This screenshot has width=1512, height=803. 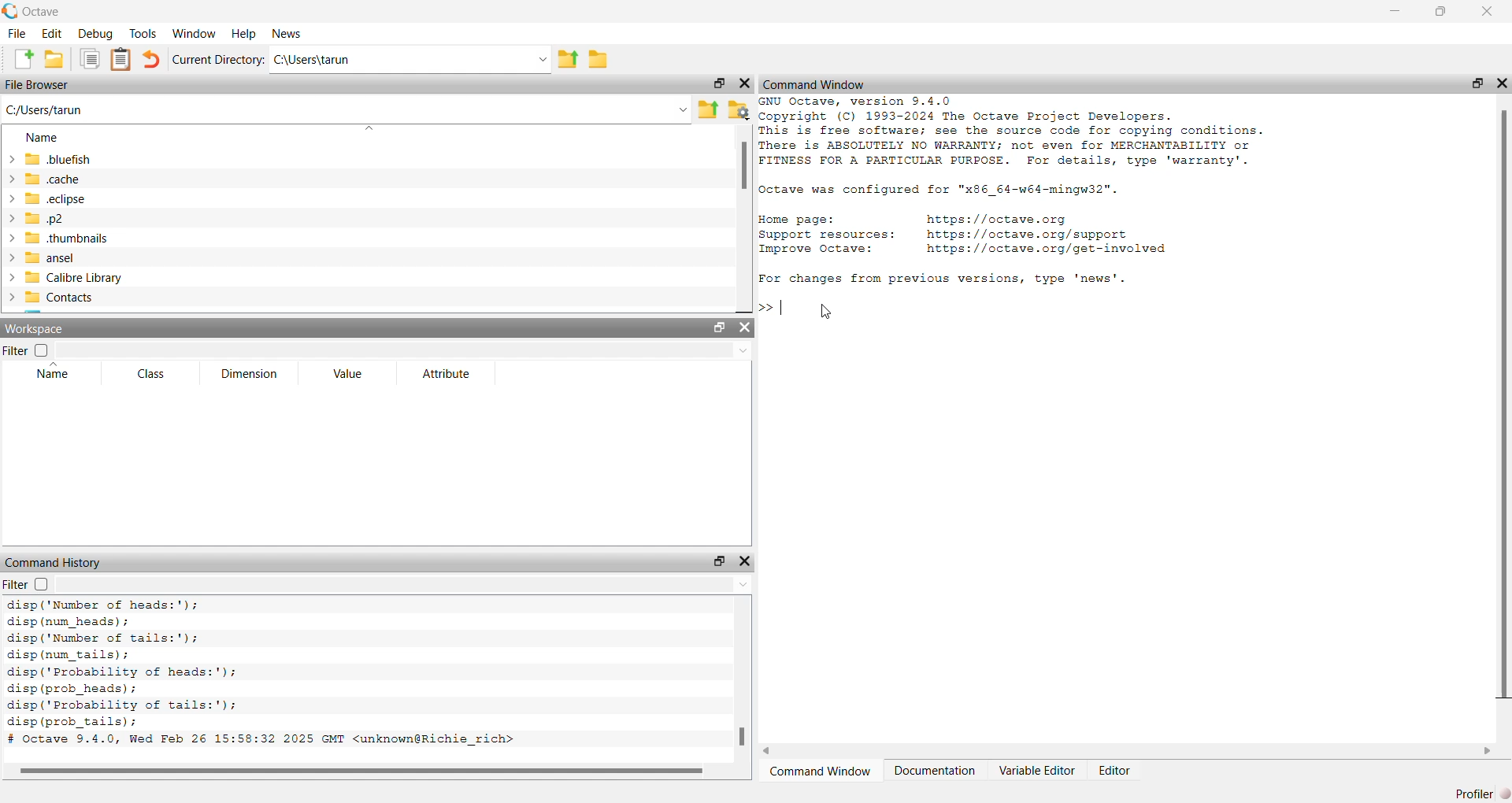 I want to click on Command Window, so click(x=817, y=83).